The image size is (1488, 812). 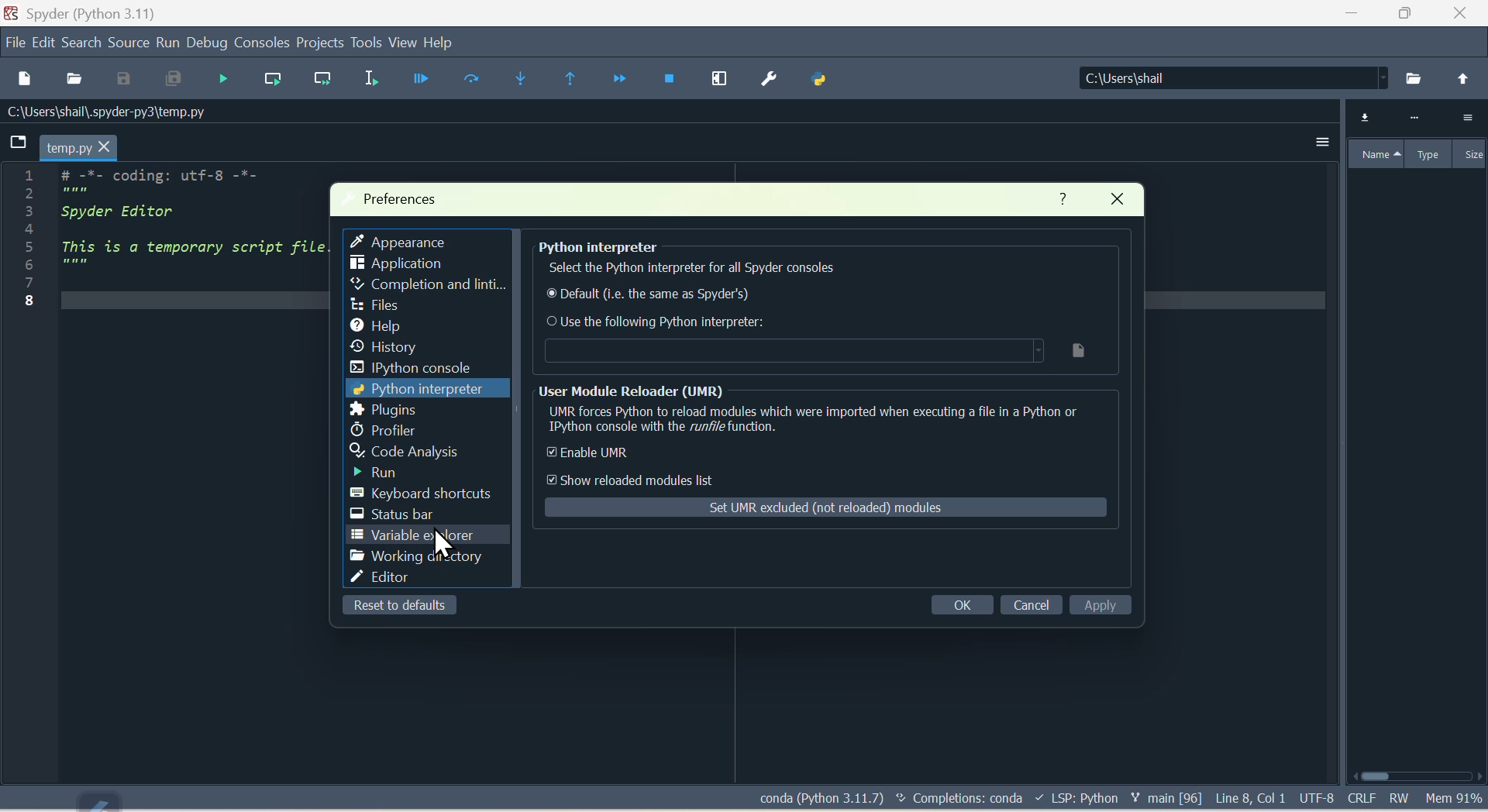 I want to click on More options, so click(x=1311, y=146).